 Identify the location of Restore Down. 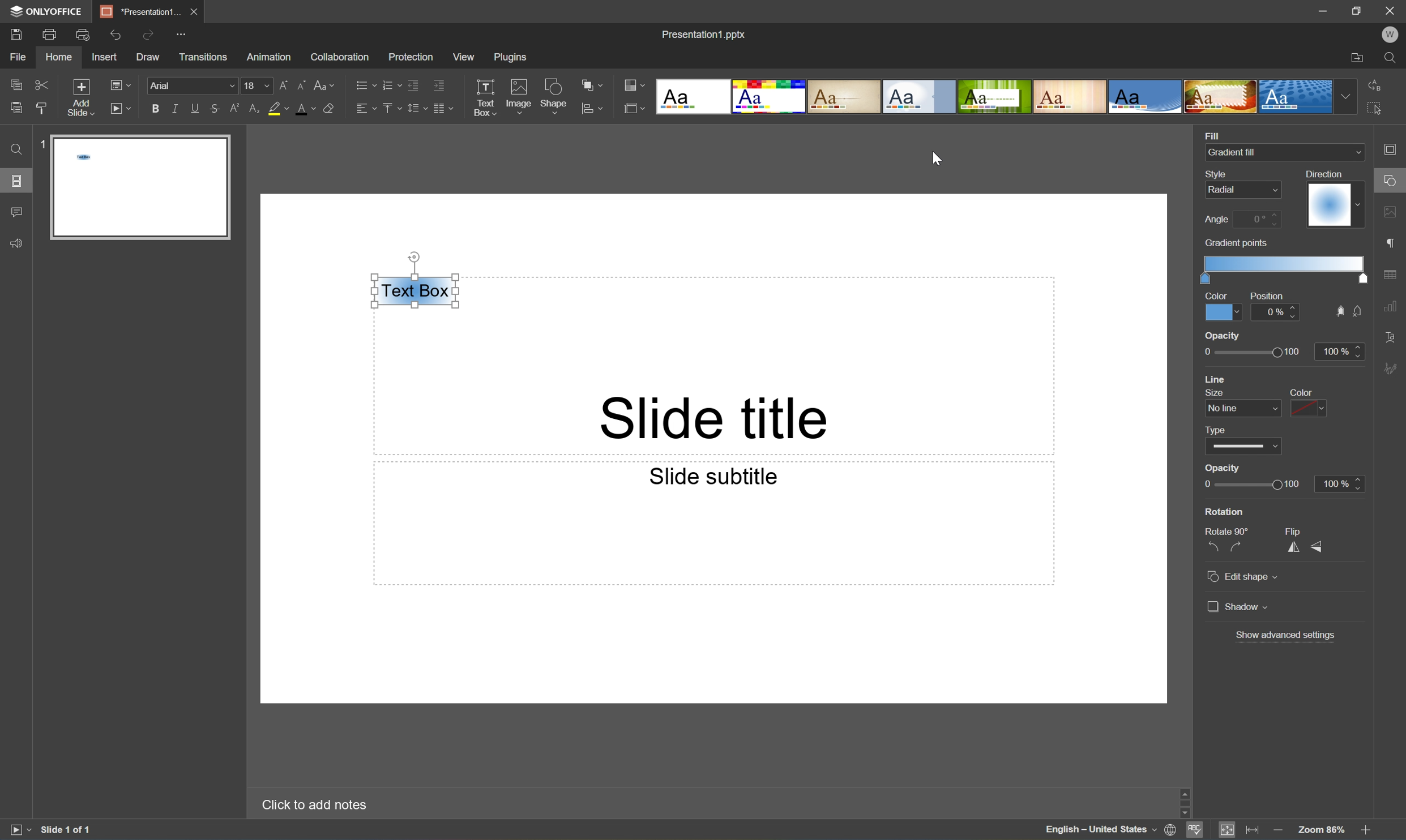
(1358, 8).